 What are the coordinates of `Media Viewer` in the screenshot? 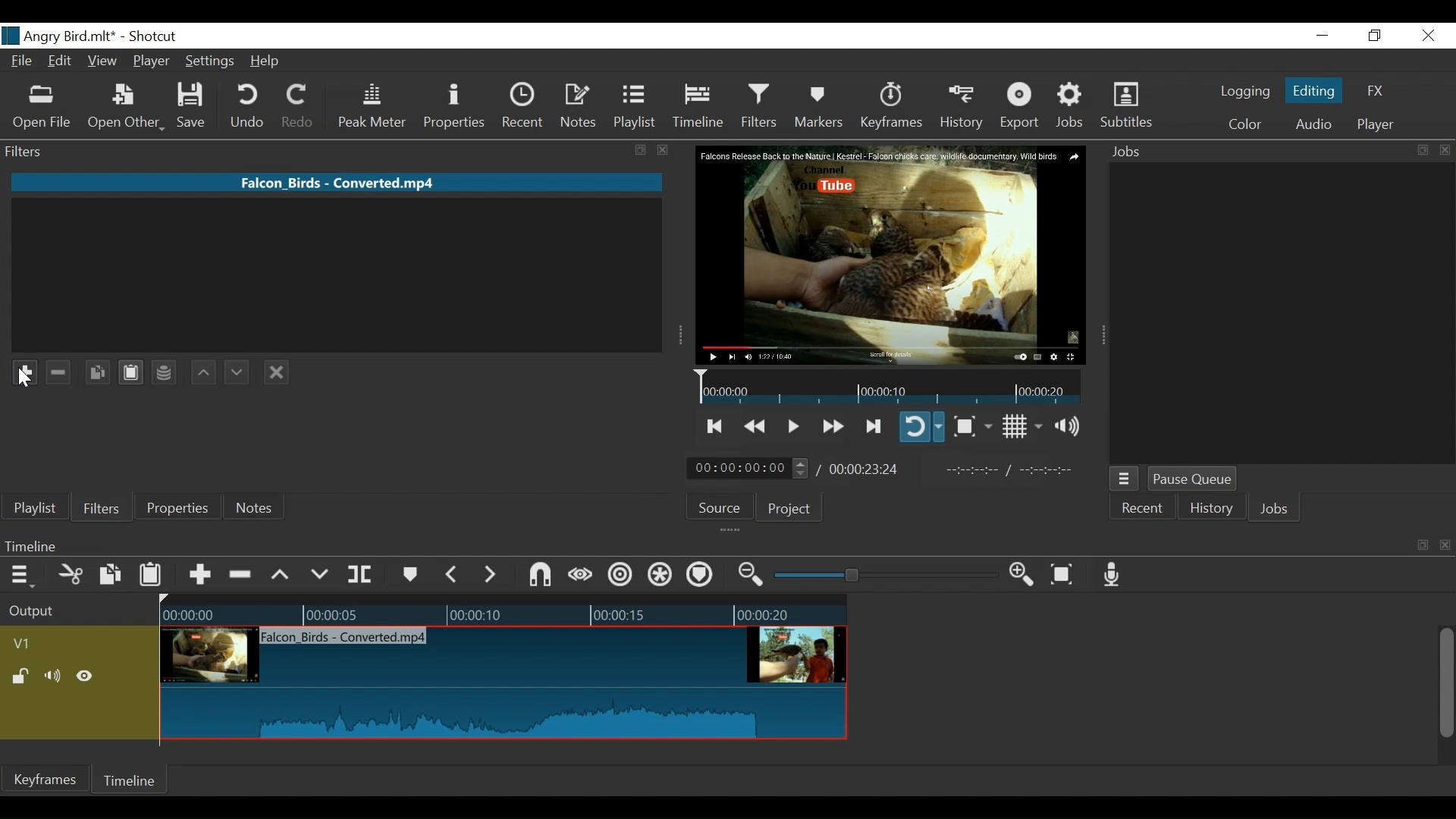 It's located at (891, 256).